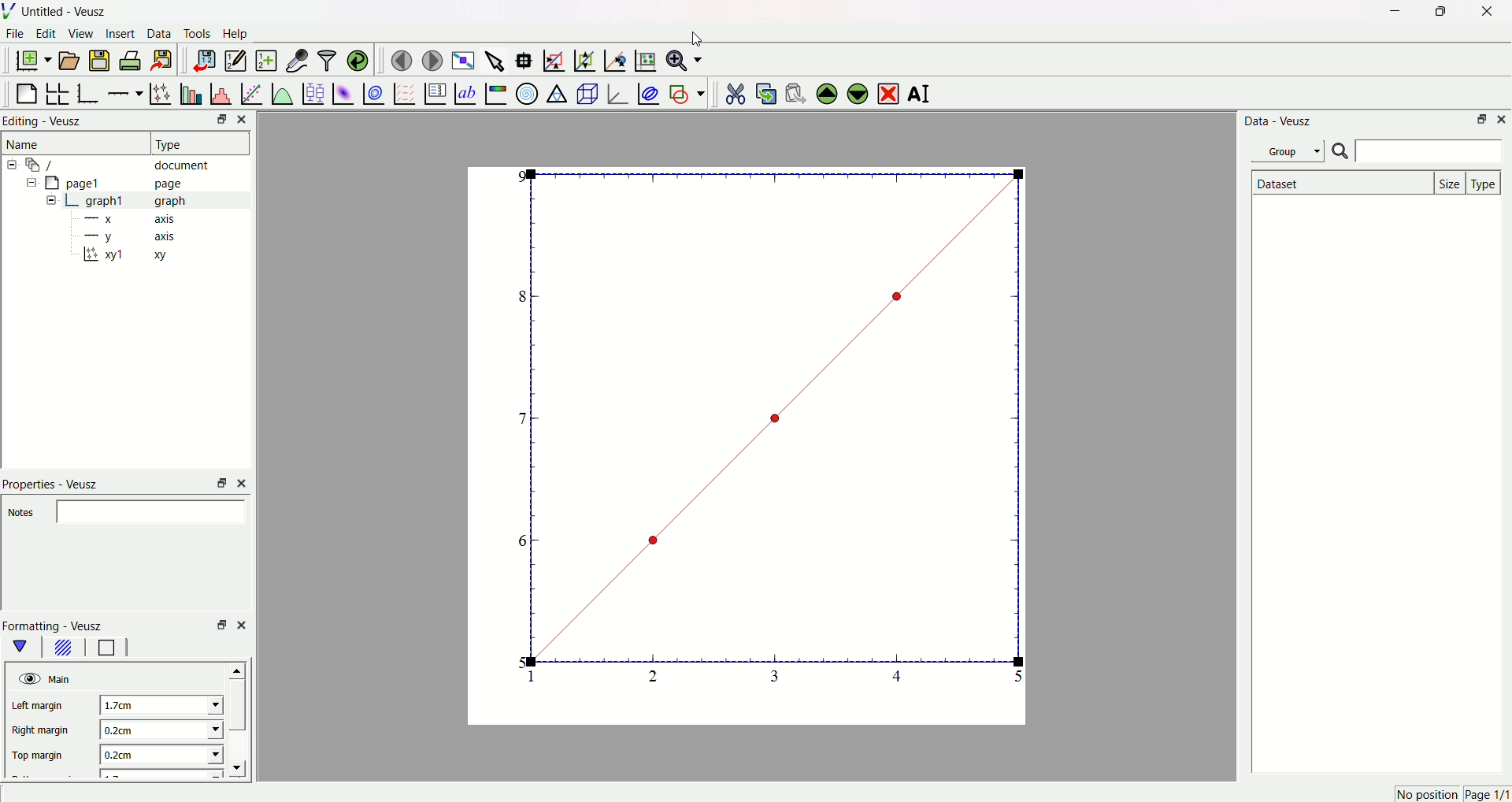 The height and width of the screenshot is (802, 1512). I want to click on right margin, so click(41, 732).